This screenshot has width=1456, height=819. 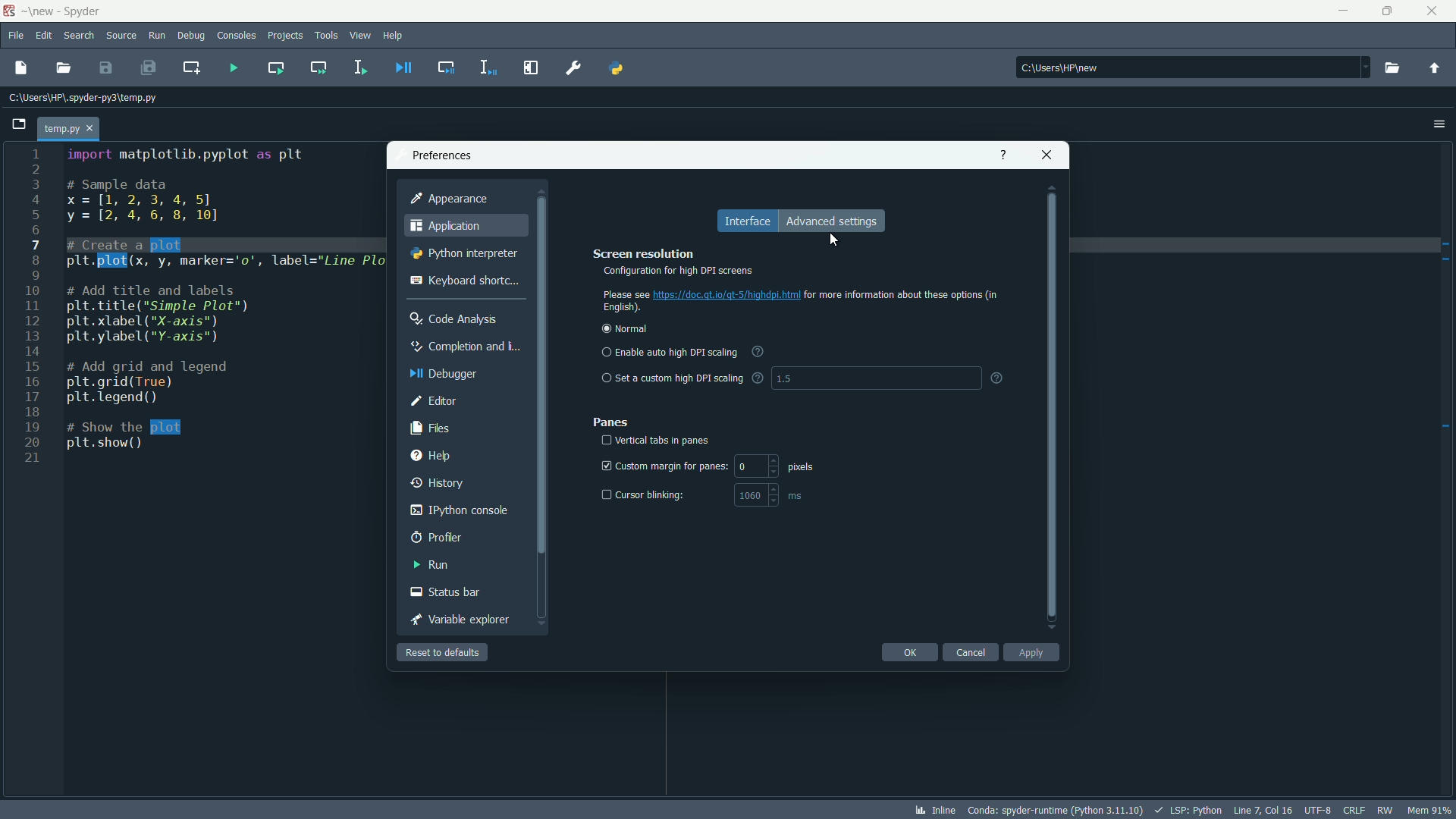 What do you see at coordinates (20, 68) in the screenshot?
I see `open file` at bounding box center [20, 68].